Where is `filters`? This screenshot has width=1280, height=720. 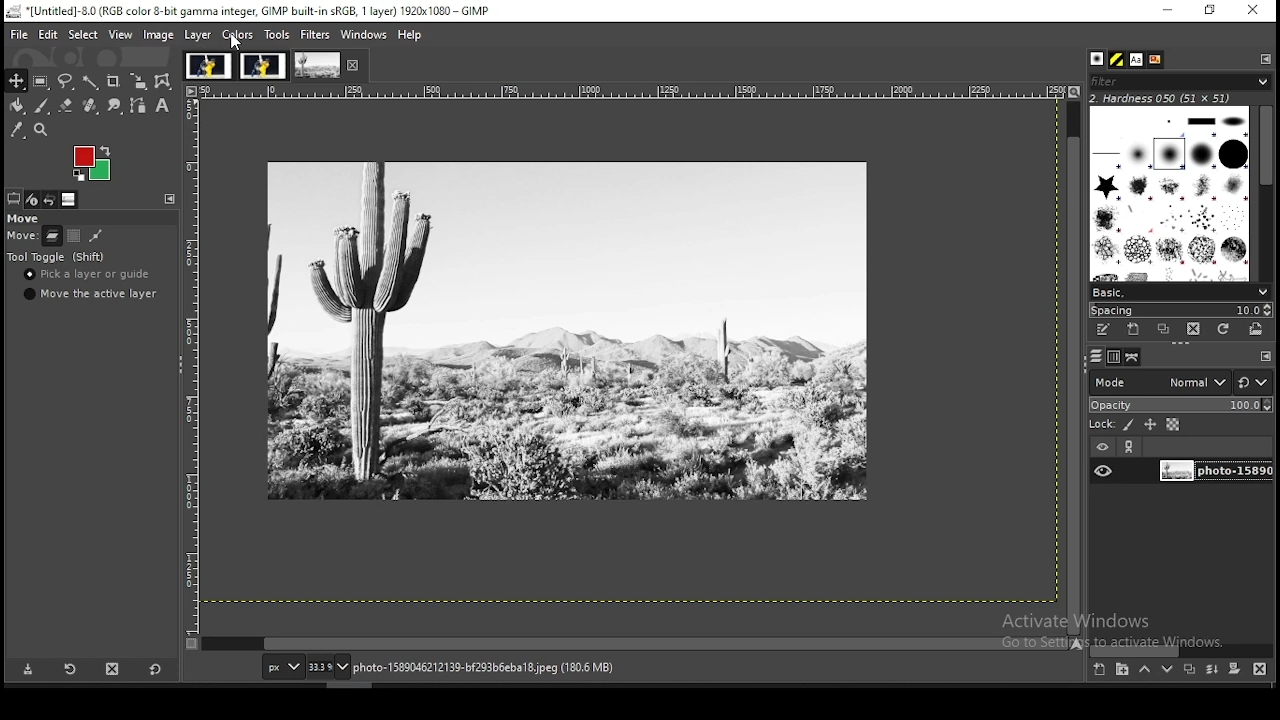
filters is located at coordinates (316, 37).